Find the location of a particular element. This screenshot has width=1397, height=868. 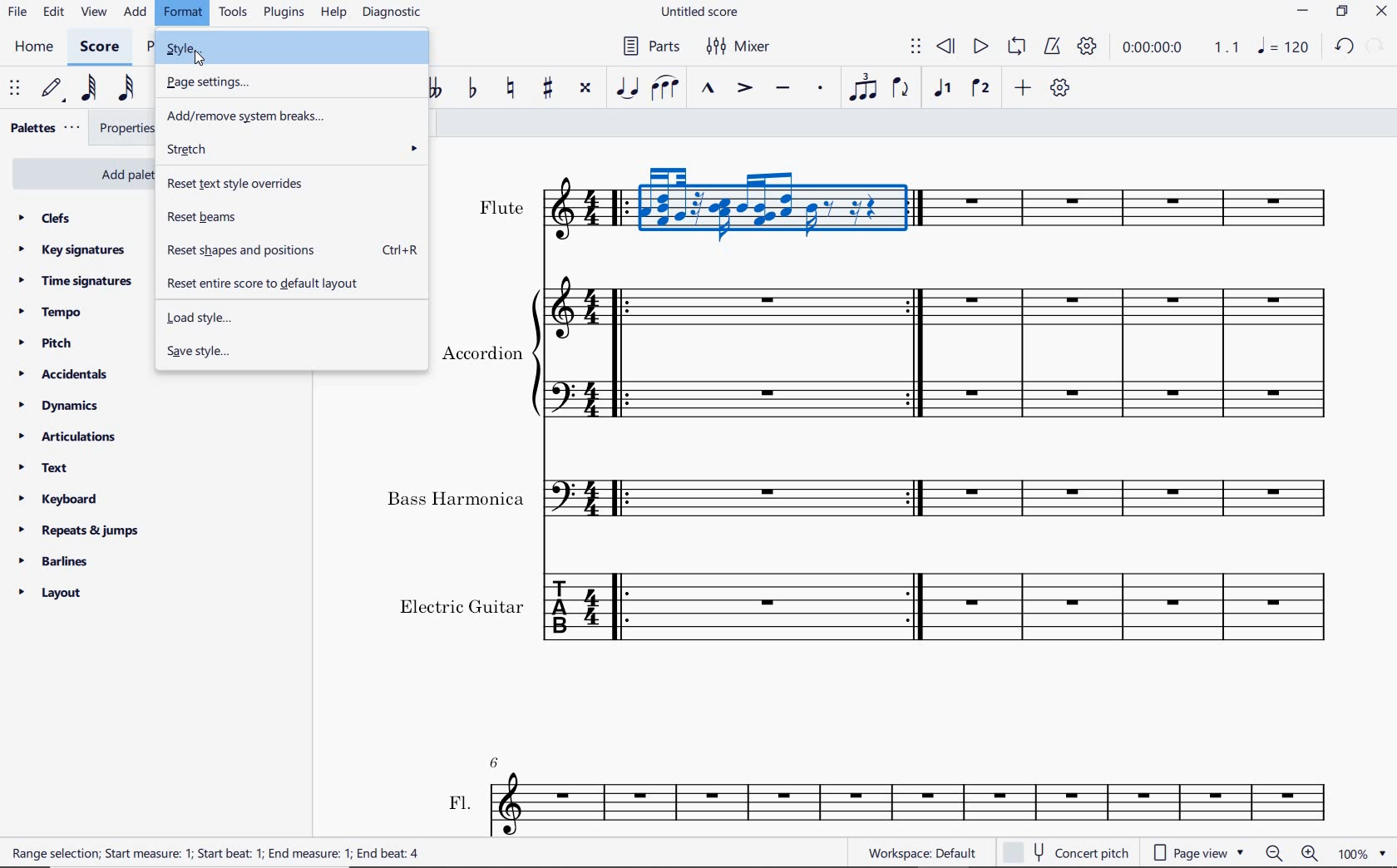

help is located at coordinates (333, 14).